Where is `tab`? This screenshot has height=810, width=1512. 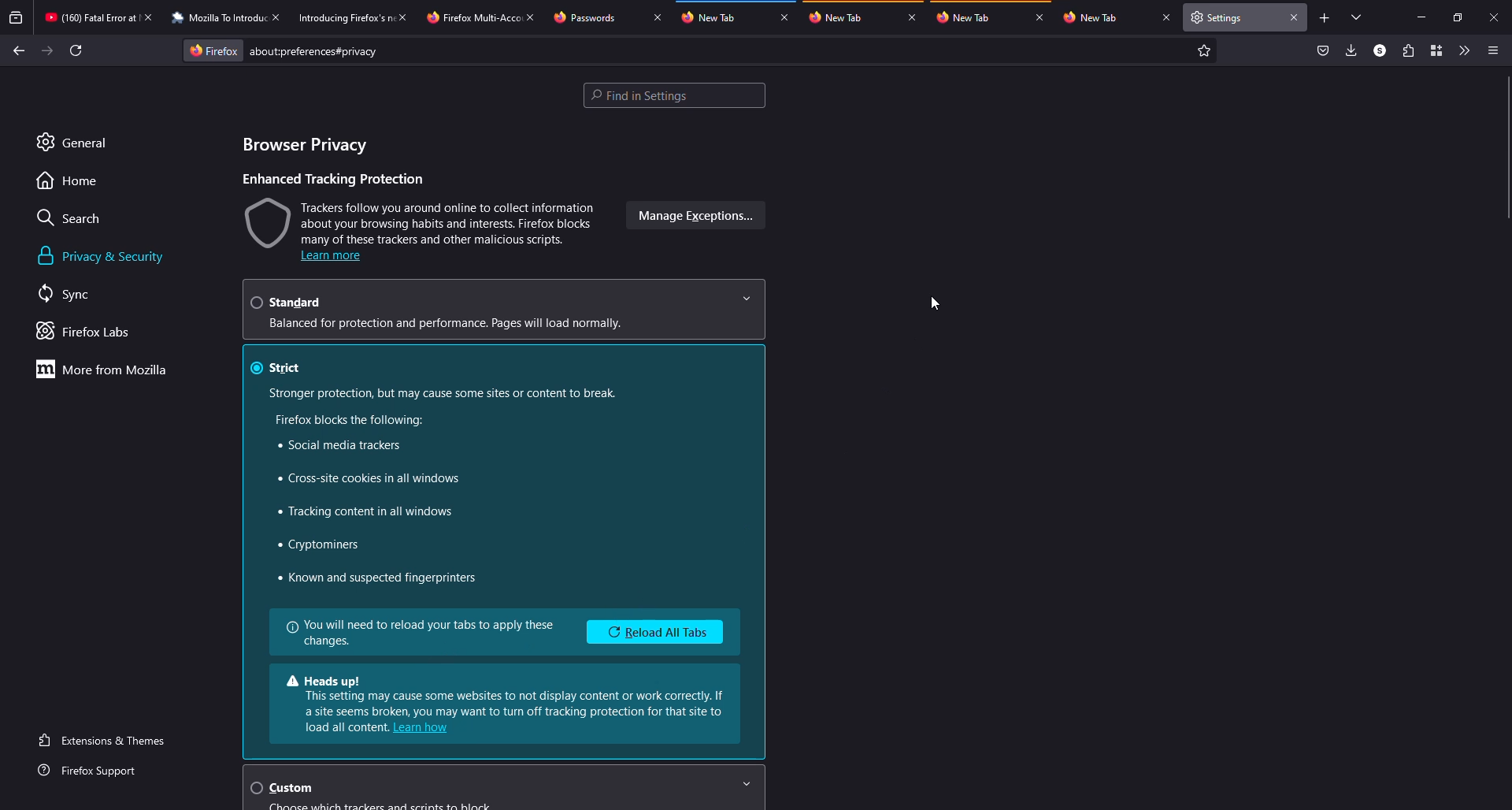
tab is located at coordinates (345, 18).